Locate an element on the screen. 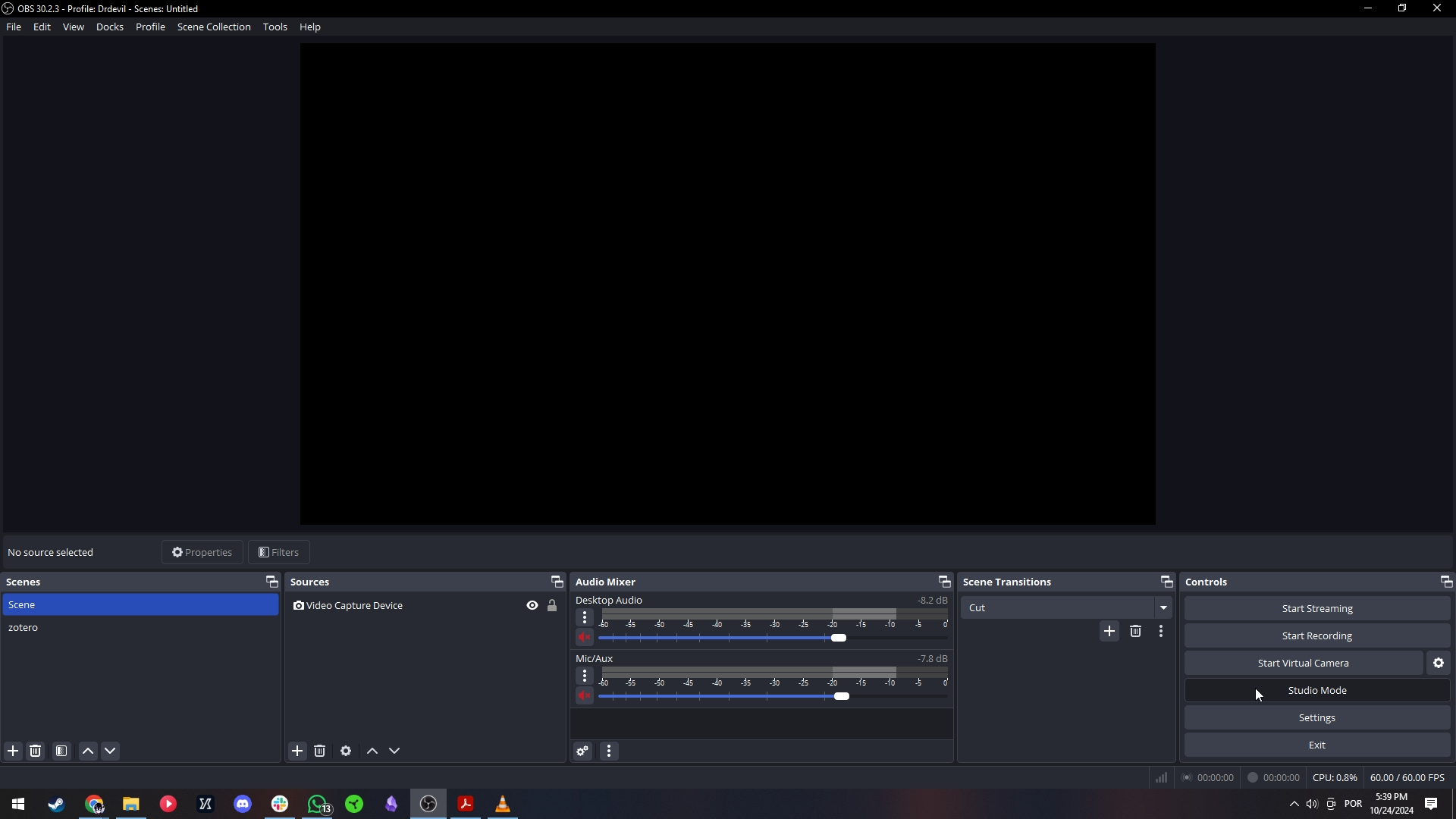 The image size is (1456, 819). discord is located at coordinates (242, 802).